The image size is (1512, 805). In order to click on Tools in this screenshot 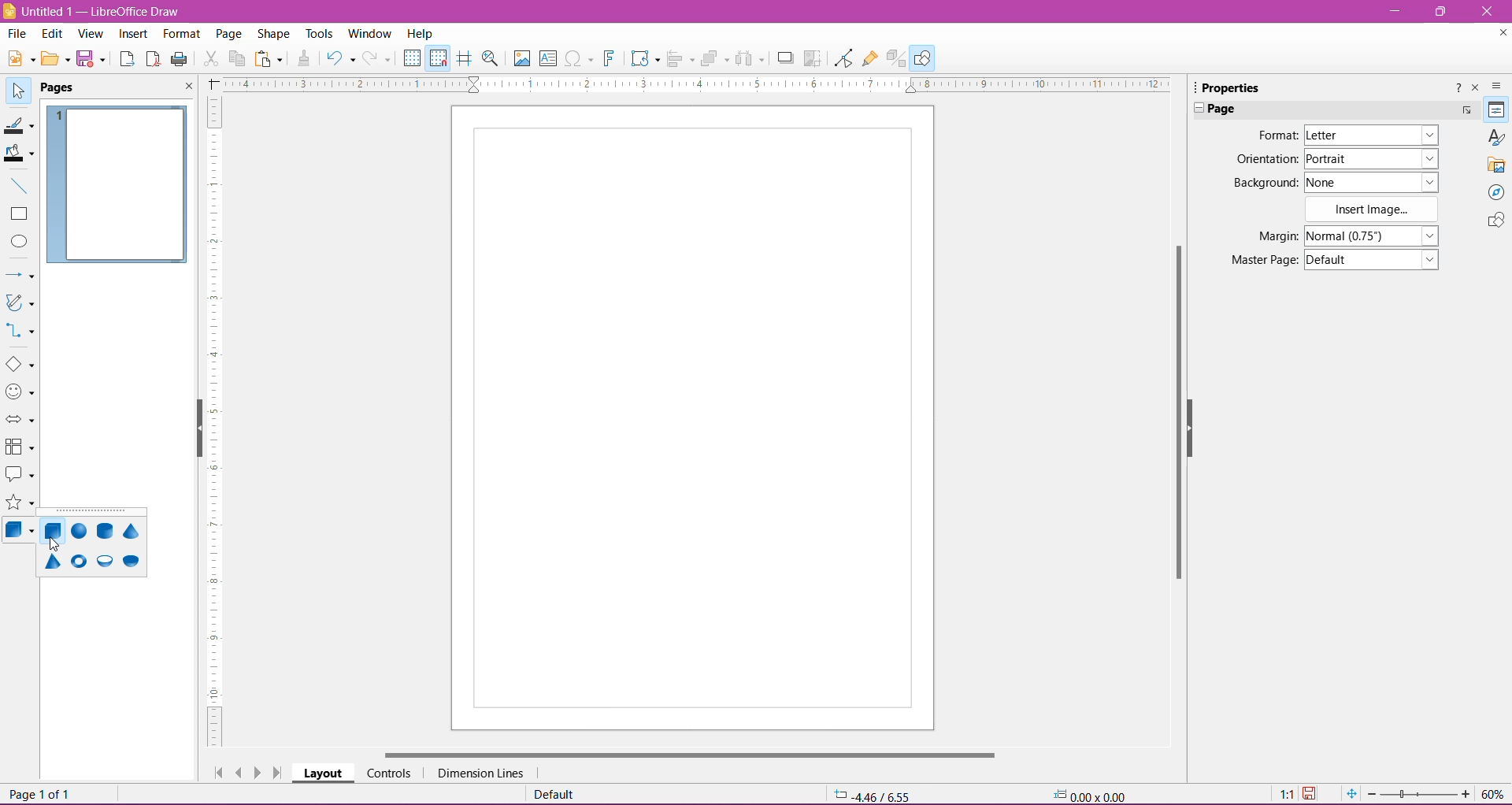, I will do `click(321, 34)`.